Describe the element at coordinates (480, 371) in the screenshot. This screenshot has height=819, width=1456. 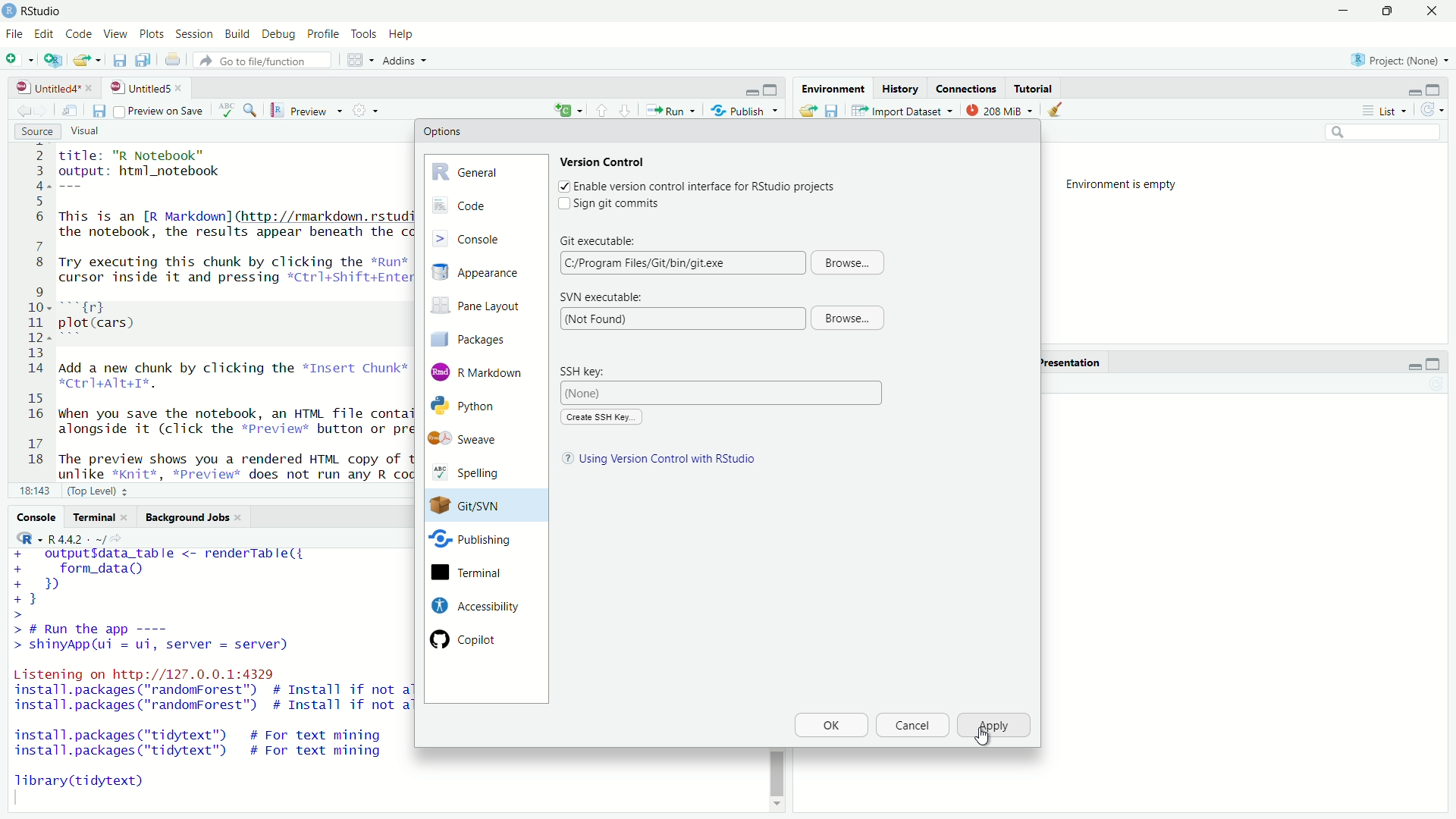
I see `Markdown` at that location.